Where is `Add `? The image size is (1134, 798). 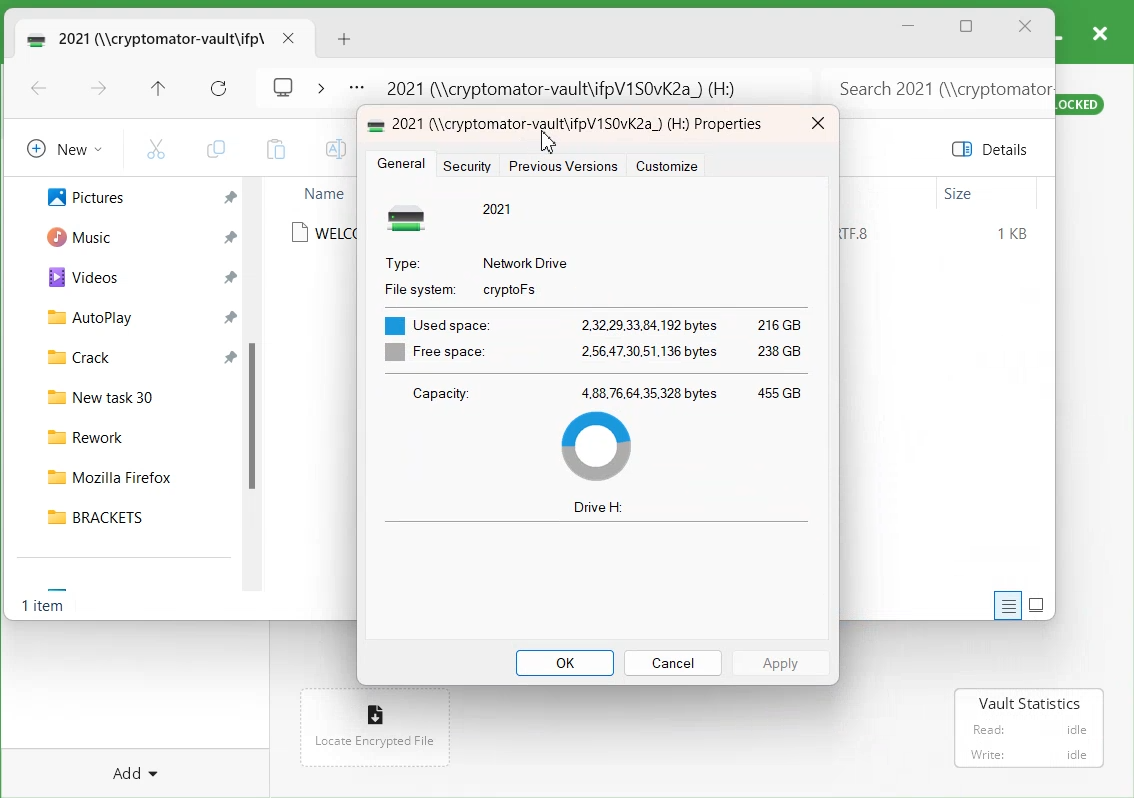 Add  is located at coordinates (137, 770).